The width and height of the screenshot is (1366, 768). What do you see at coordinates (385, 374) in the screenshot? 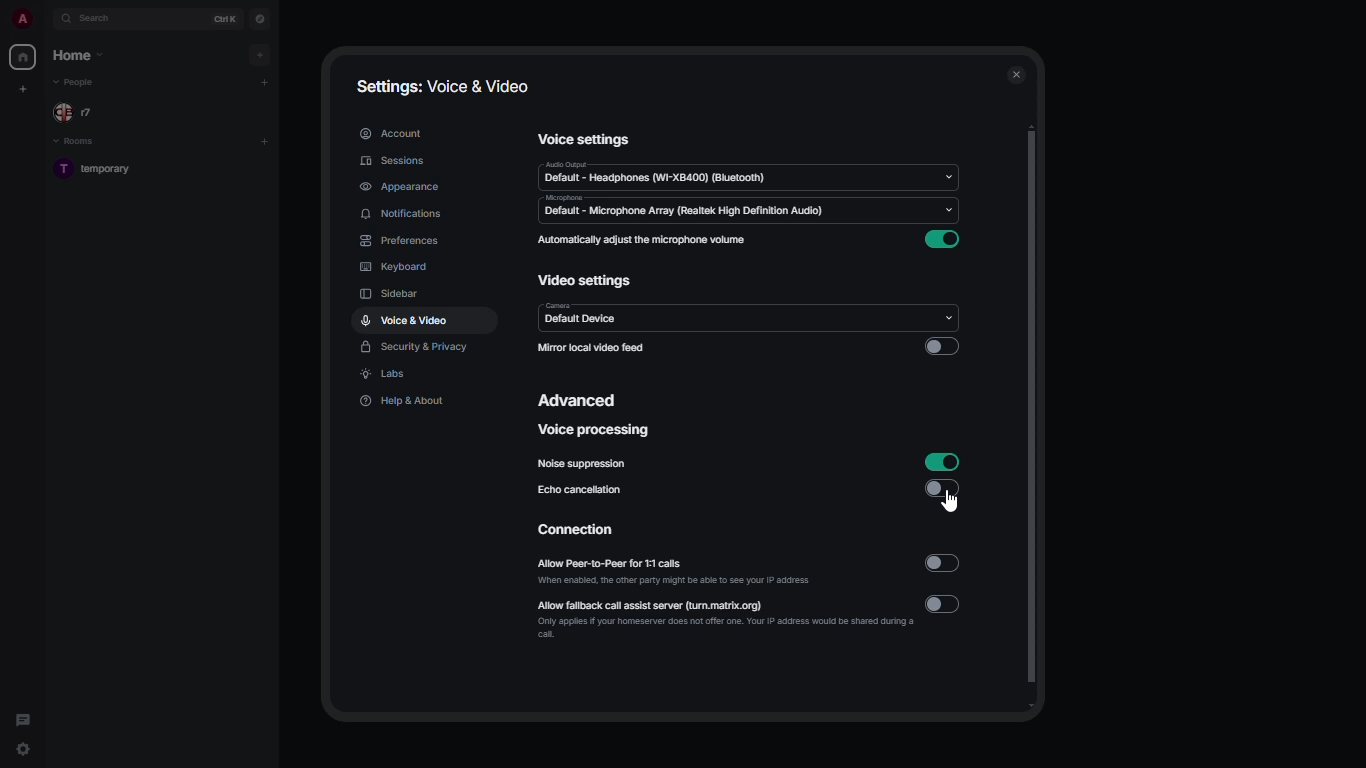
I see `labs` at bounding box center [385, 374].